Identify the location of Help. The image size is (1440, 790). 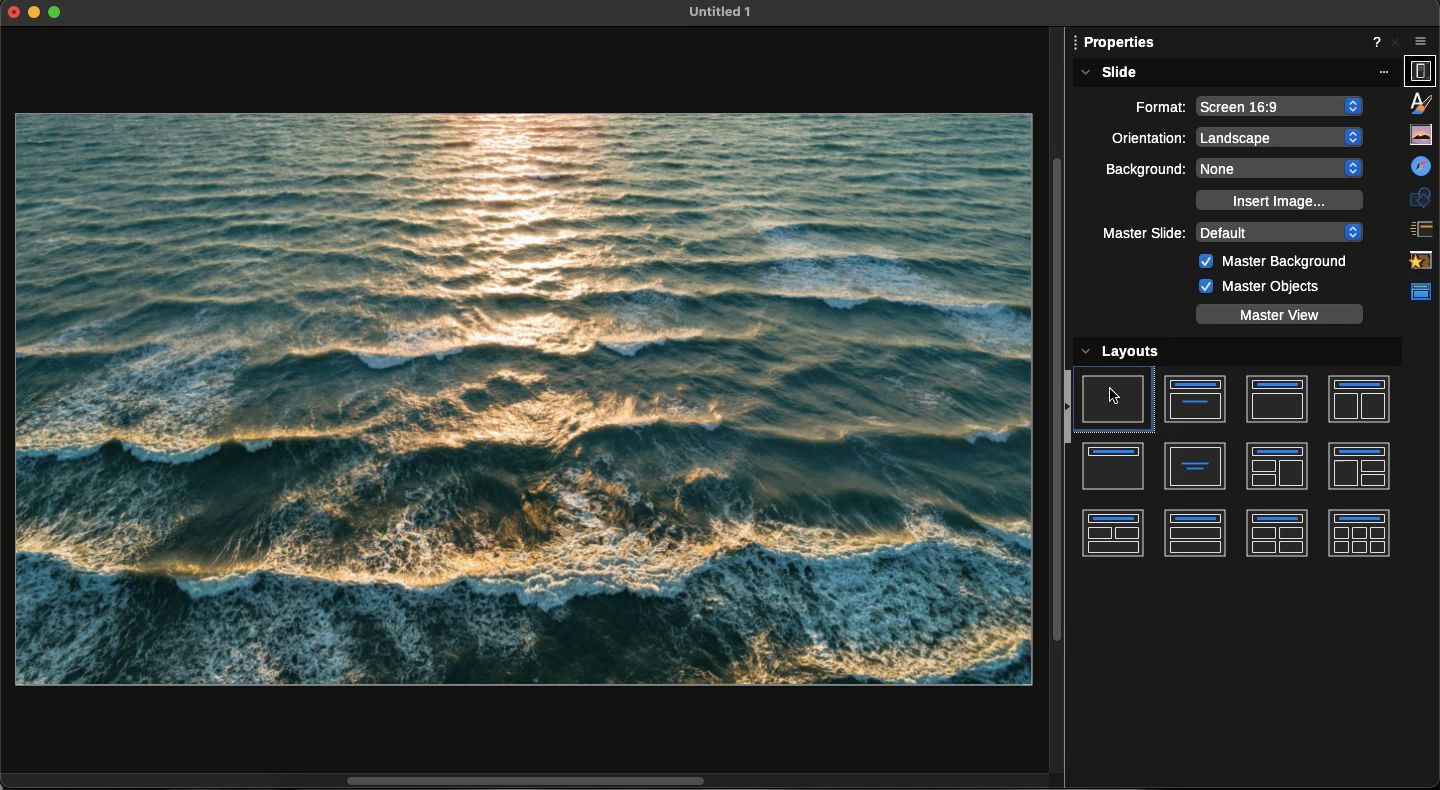
(1373, 43).